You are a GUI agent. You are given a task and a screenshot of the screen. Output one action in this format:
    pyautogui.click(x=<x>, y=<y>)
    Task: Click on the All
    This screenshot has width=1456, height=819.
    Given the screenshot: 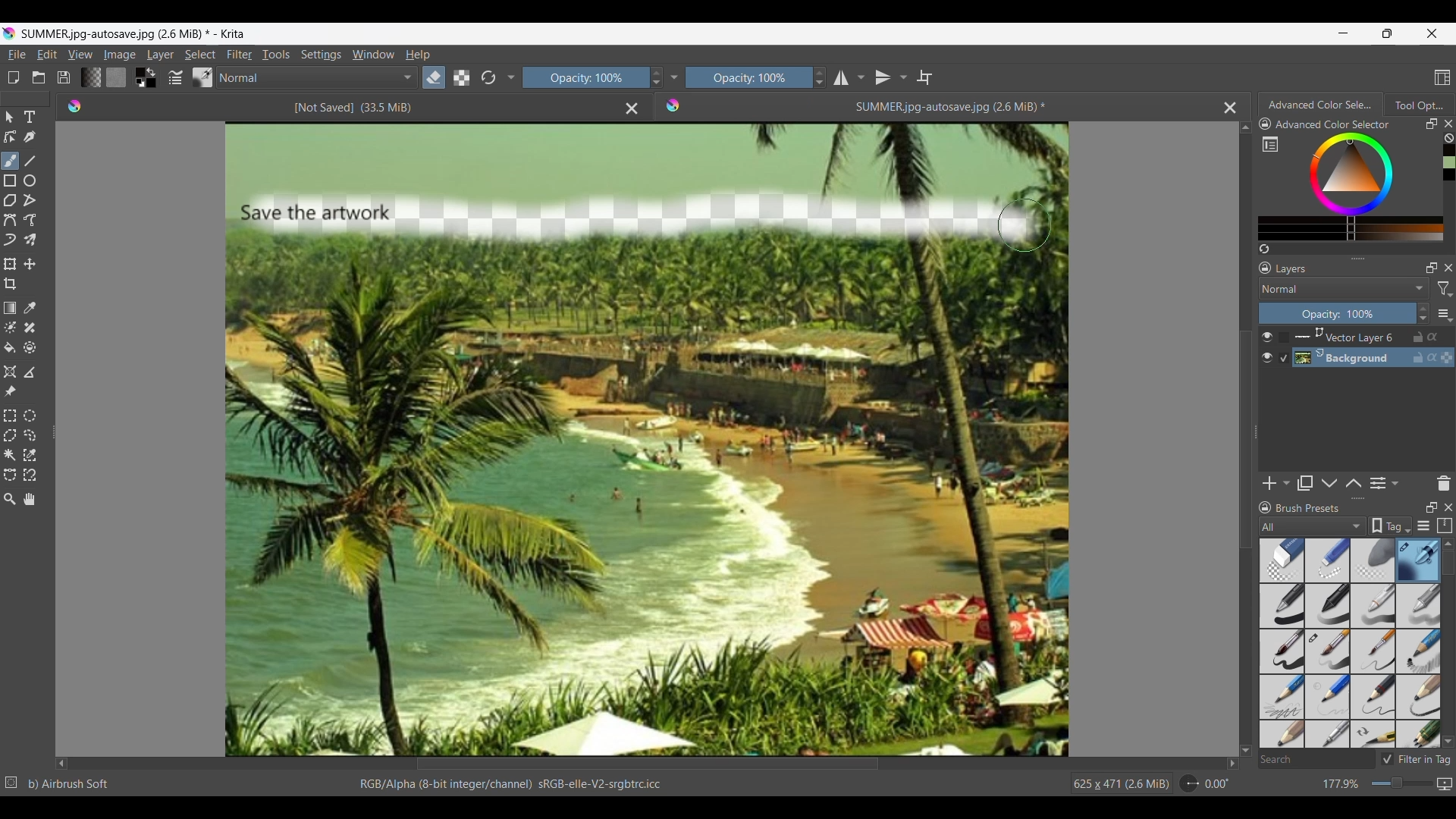 What is the action you would take?
    pyautogui.click(x=1312, y=526)
    